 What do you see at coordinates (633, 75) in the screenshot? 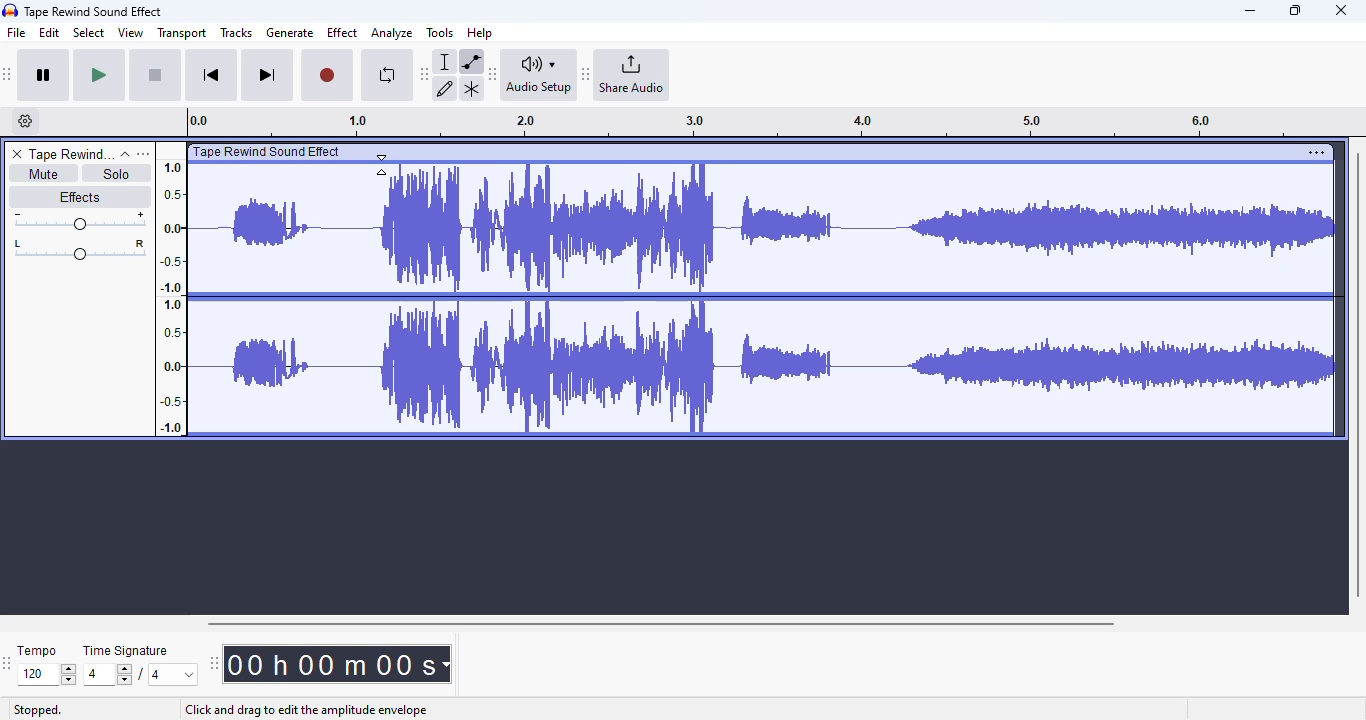
I see `share audio` at bounding box center [633, 75].